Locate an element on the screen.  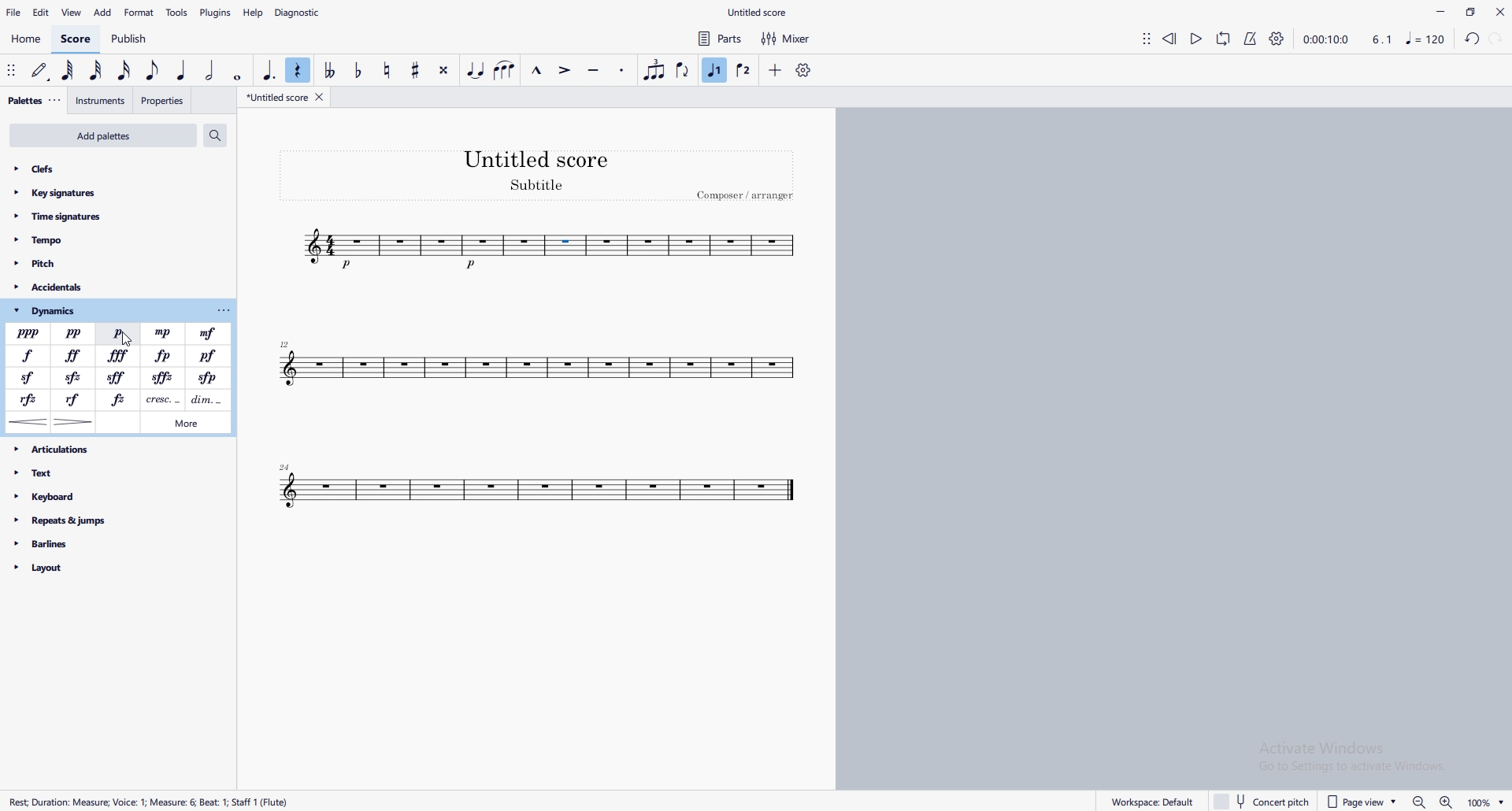
pianissimo is located at coordinates (72, 333).